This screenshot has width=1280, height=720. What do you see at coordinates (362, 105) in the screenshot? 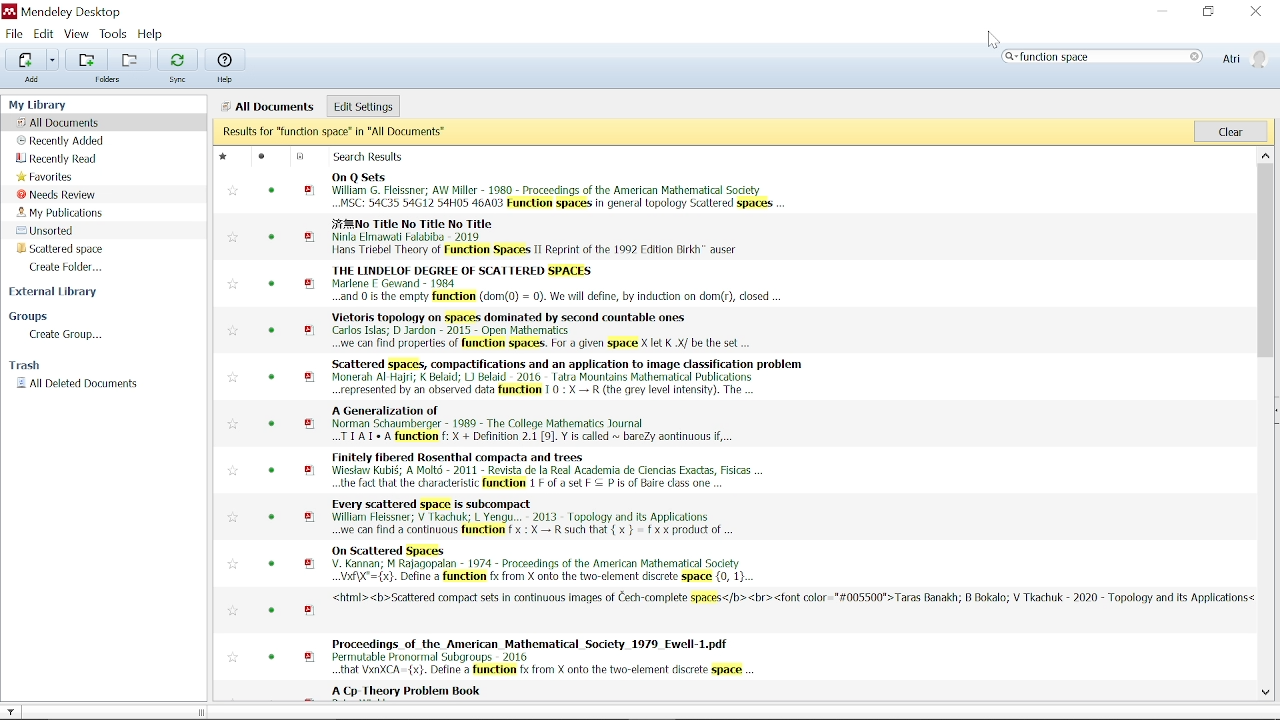
I see `Edit settings` at bounding box center [362, 105].